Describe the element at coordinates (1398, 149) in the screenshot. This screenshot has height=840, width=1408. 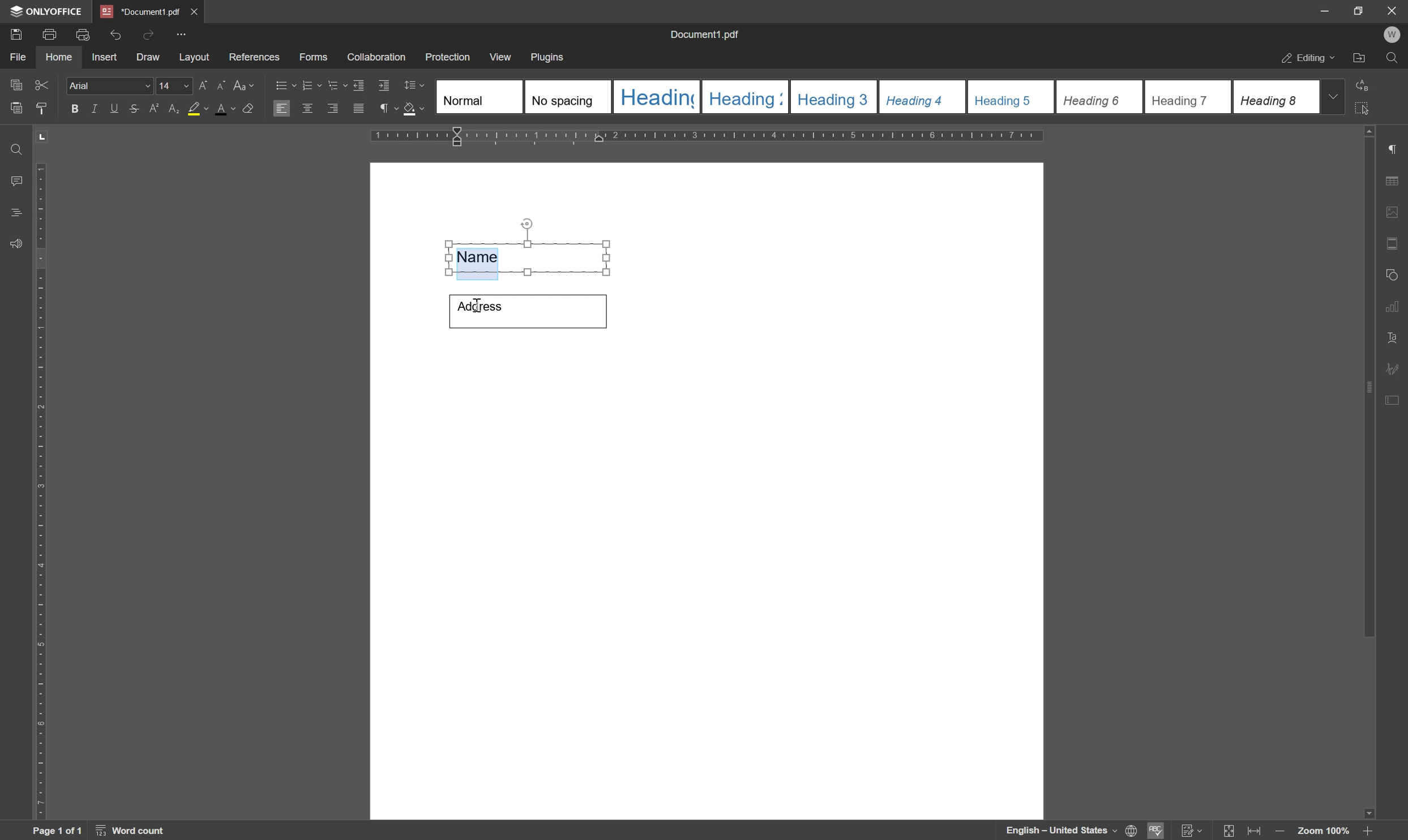
I see `paragraph settings` at that location.